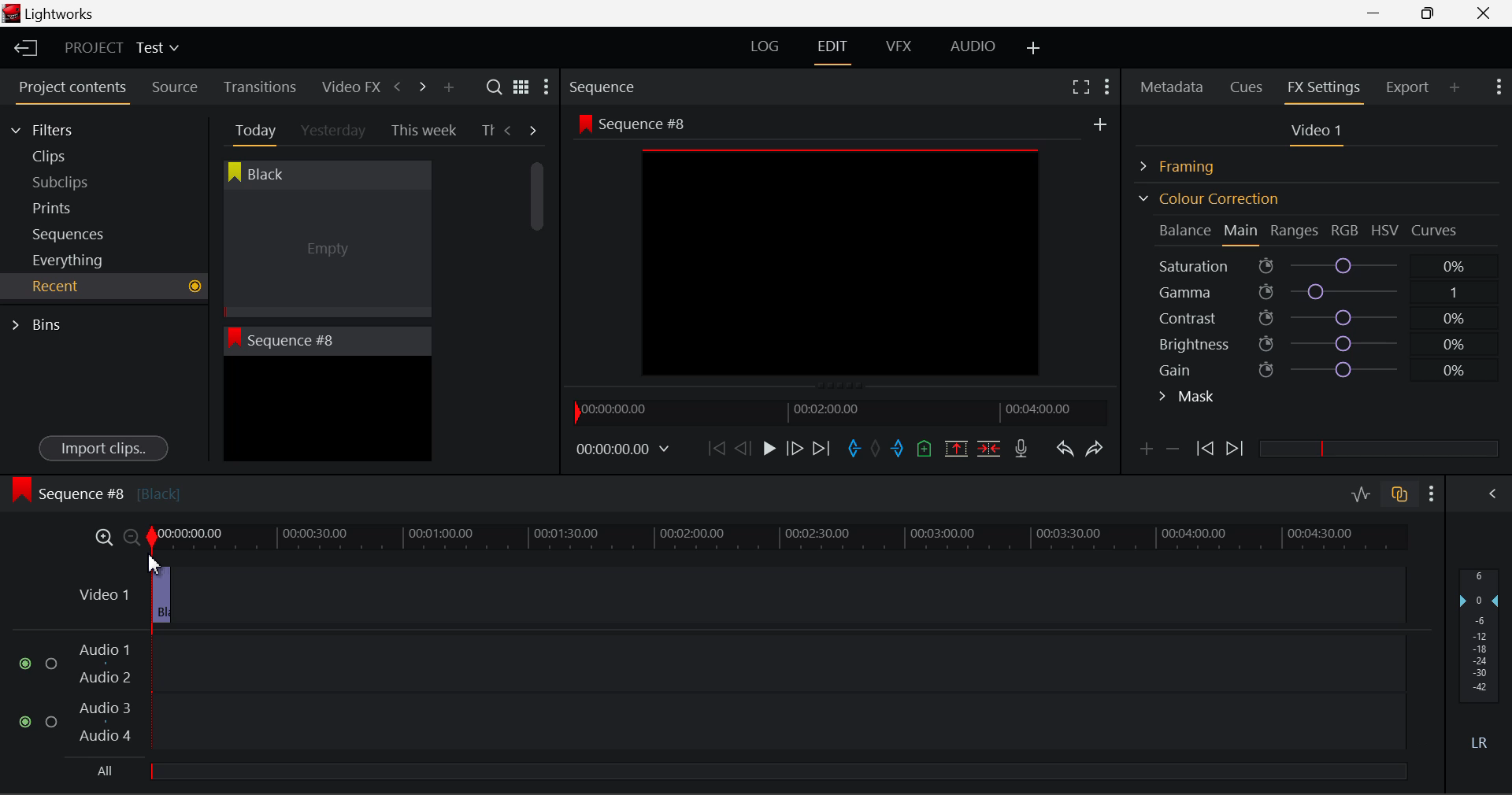 The image size is (1512, 795). Describe the element at coordinates (325, 253) in the screenshot. I see `Cursor MOUSE_DOWN on Black Clip` at that location.